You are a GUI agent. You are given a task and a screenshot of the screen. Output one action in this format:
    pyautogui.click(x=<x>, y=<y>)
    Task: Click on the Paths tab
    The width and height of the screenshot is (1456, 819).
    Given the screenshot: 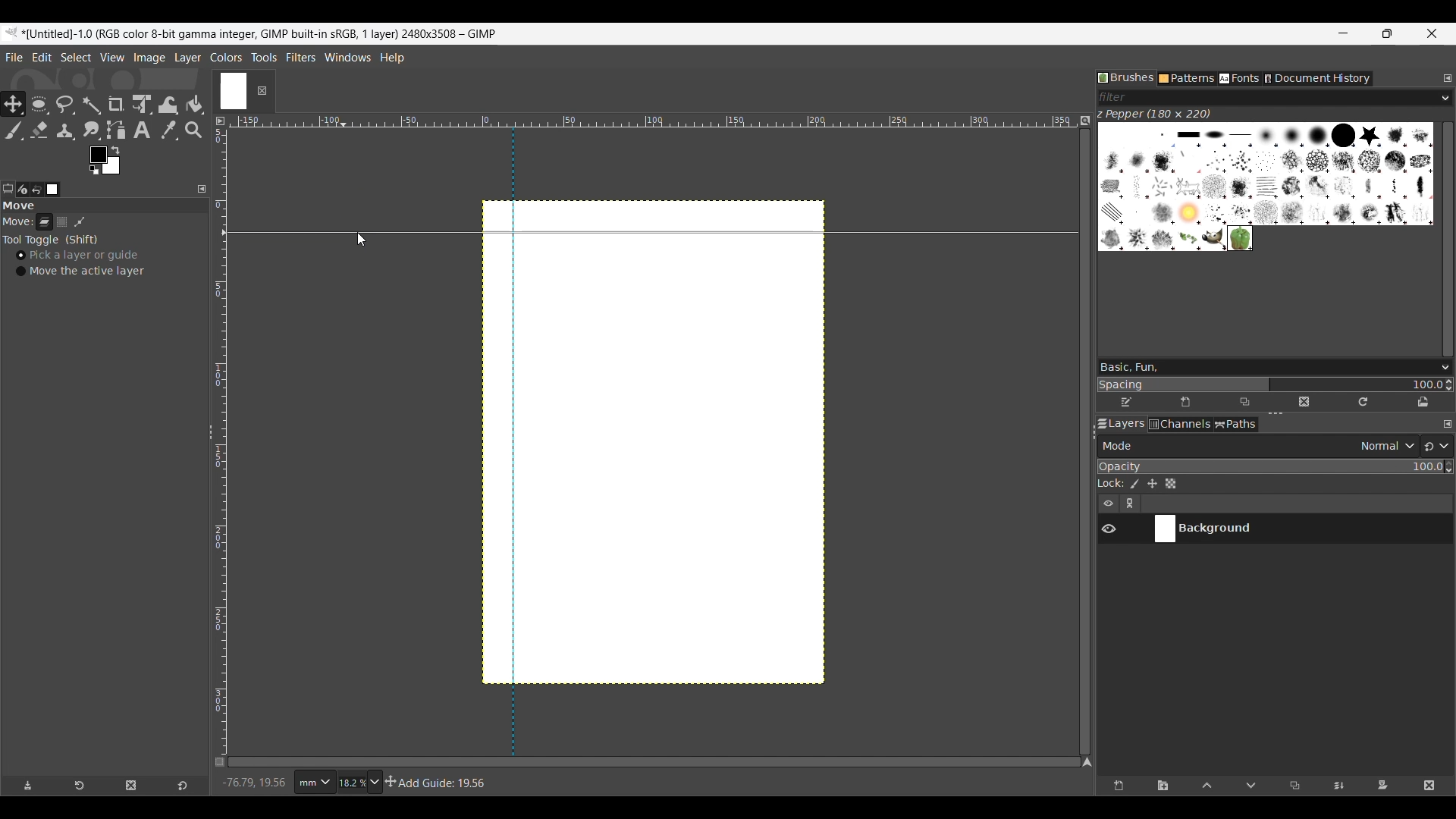 What is the action you would take?
    pyautogui.click(x=1236, y=424)
    